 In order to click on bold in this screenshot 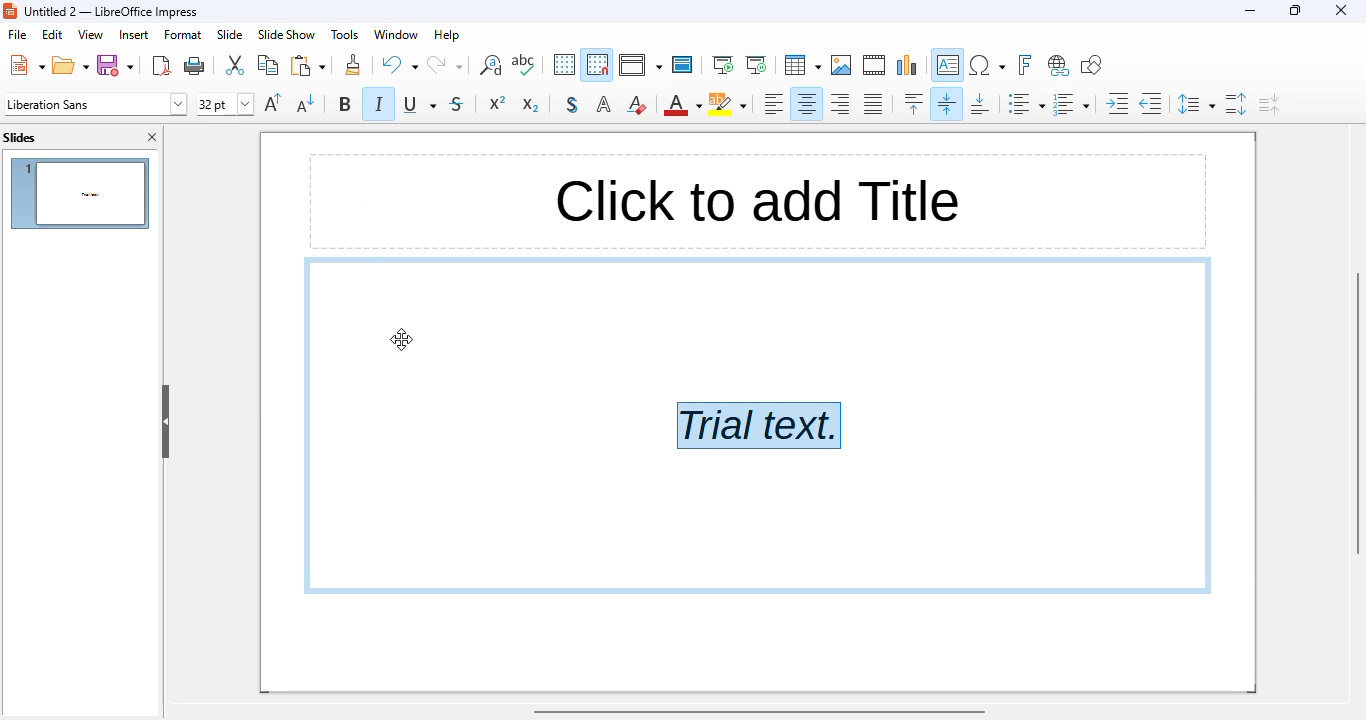, I will do `click(345, 103)`.